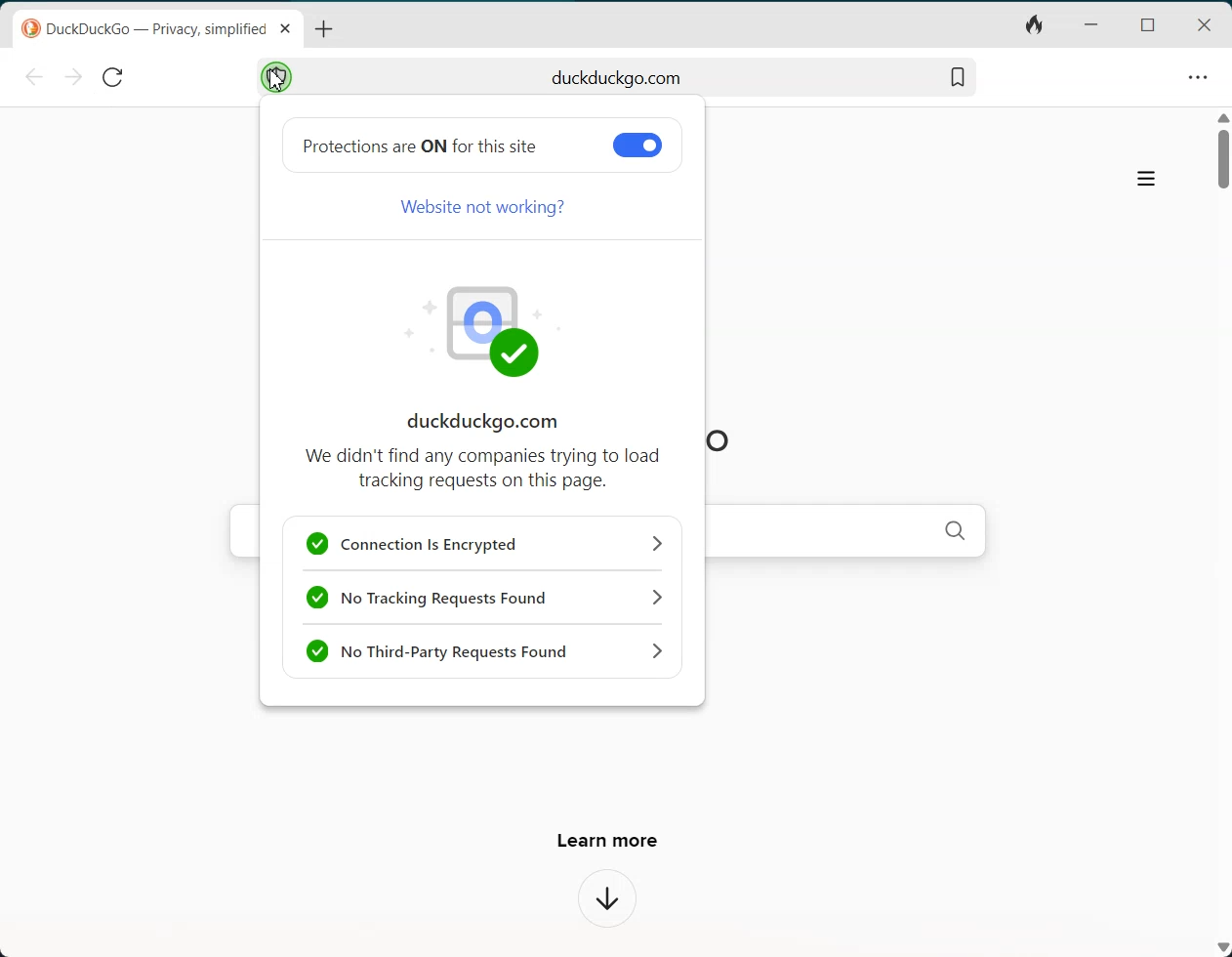 The width and height of the screenshot is (1232, 957). What do you see at coordinates (605, 834) in the screenshot?
I see `Learn more` at bounding box center [605, 834].